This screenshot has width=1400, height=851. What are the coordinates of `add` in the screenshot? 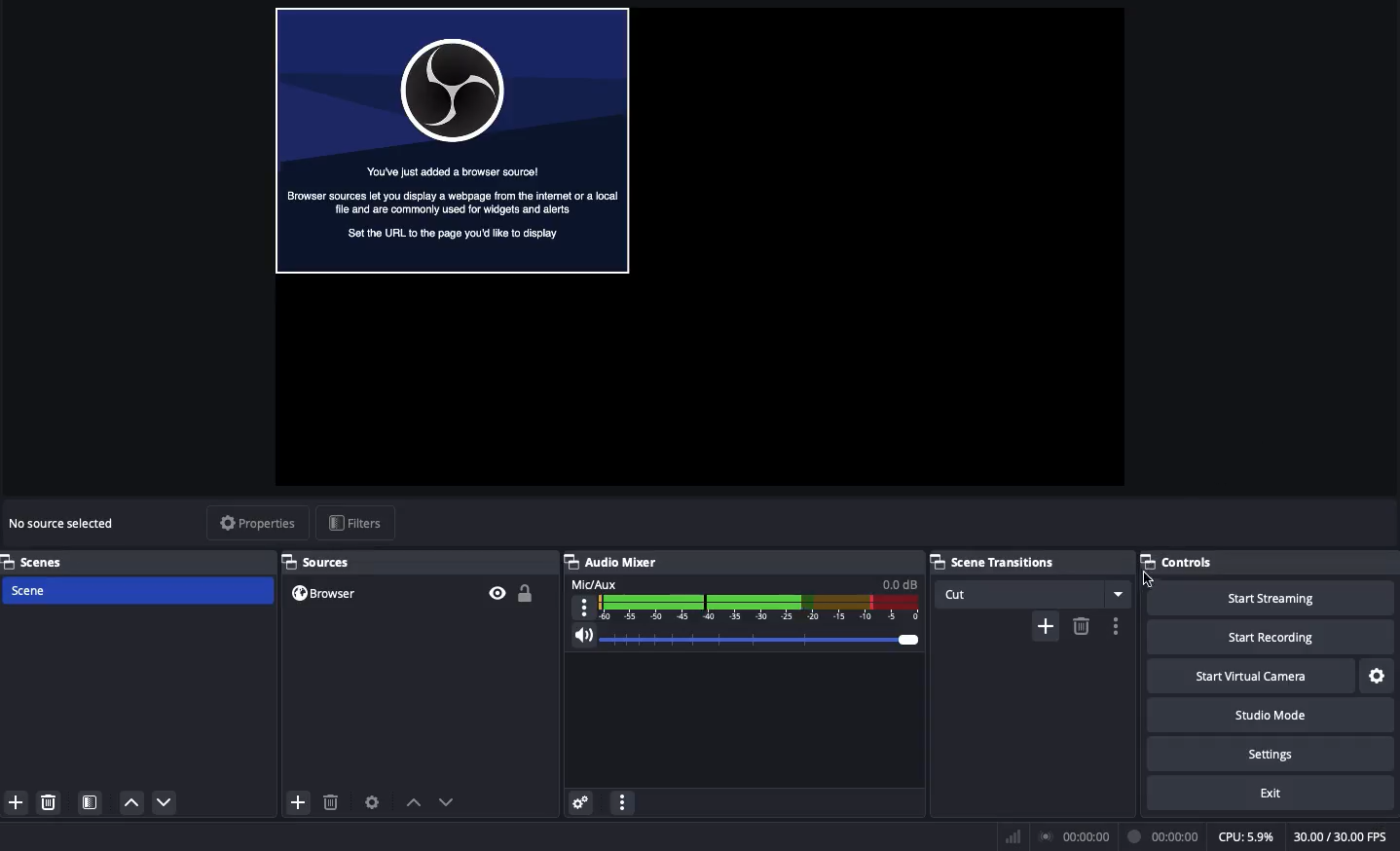 It's located at (1043, 627).